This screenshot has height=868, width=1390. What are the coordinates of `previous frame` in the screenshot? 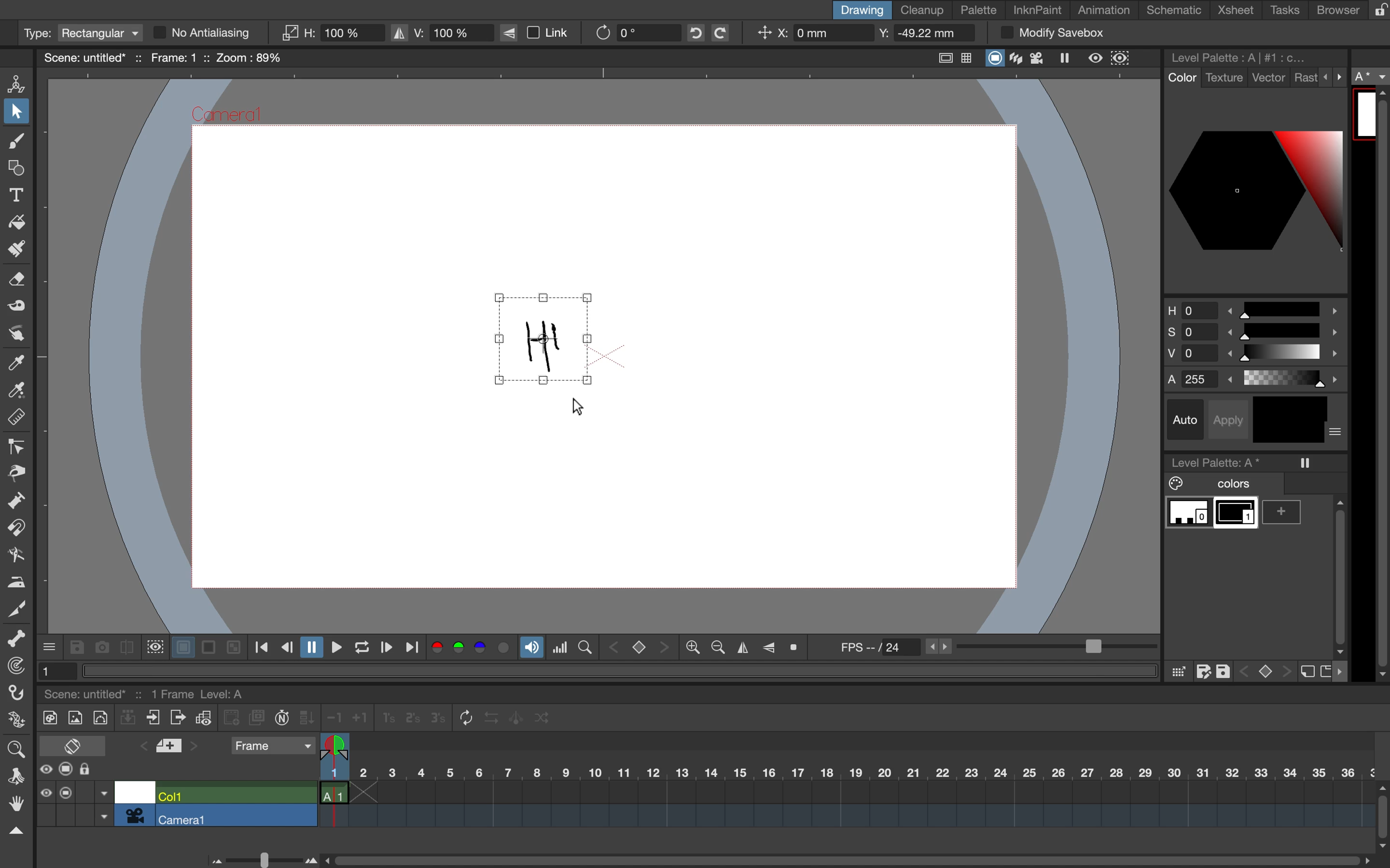 It's located at (286, 648).